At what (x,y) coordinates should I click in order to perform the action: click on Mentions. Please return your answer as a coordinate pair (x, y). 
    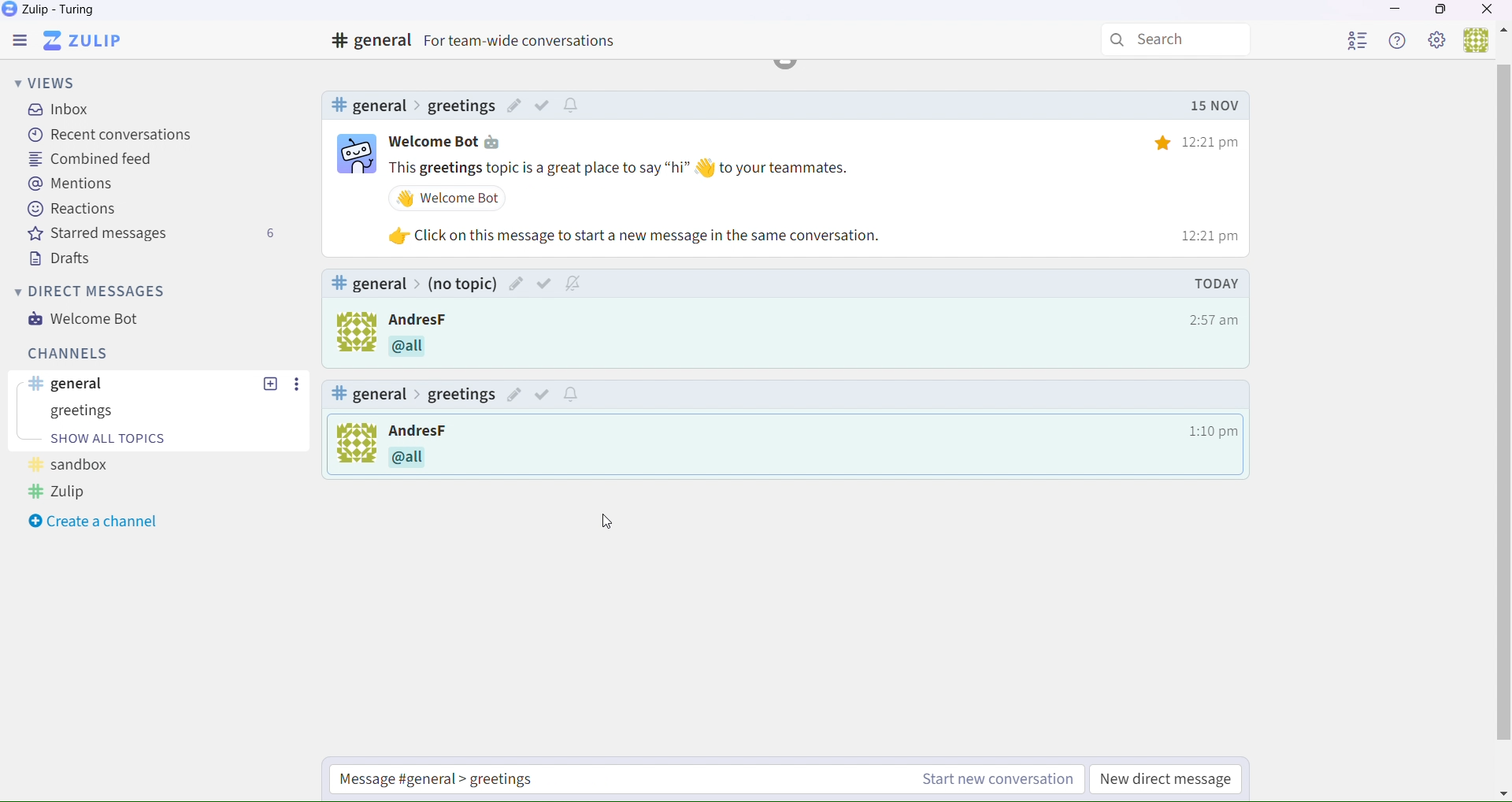
    Looking at the image, I should click on (72, 185).